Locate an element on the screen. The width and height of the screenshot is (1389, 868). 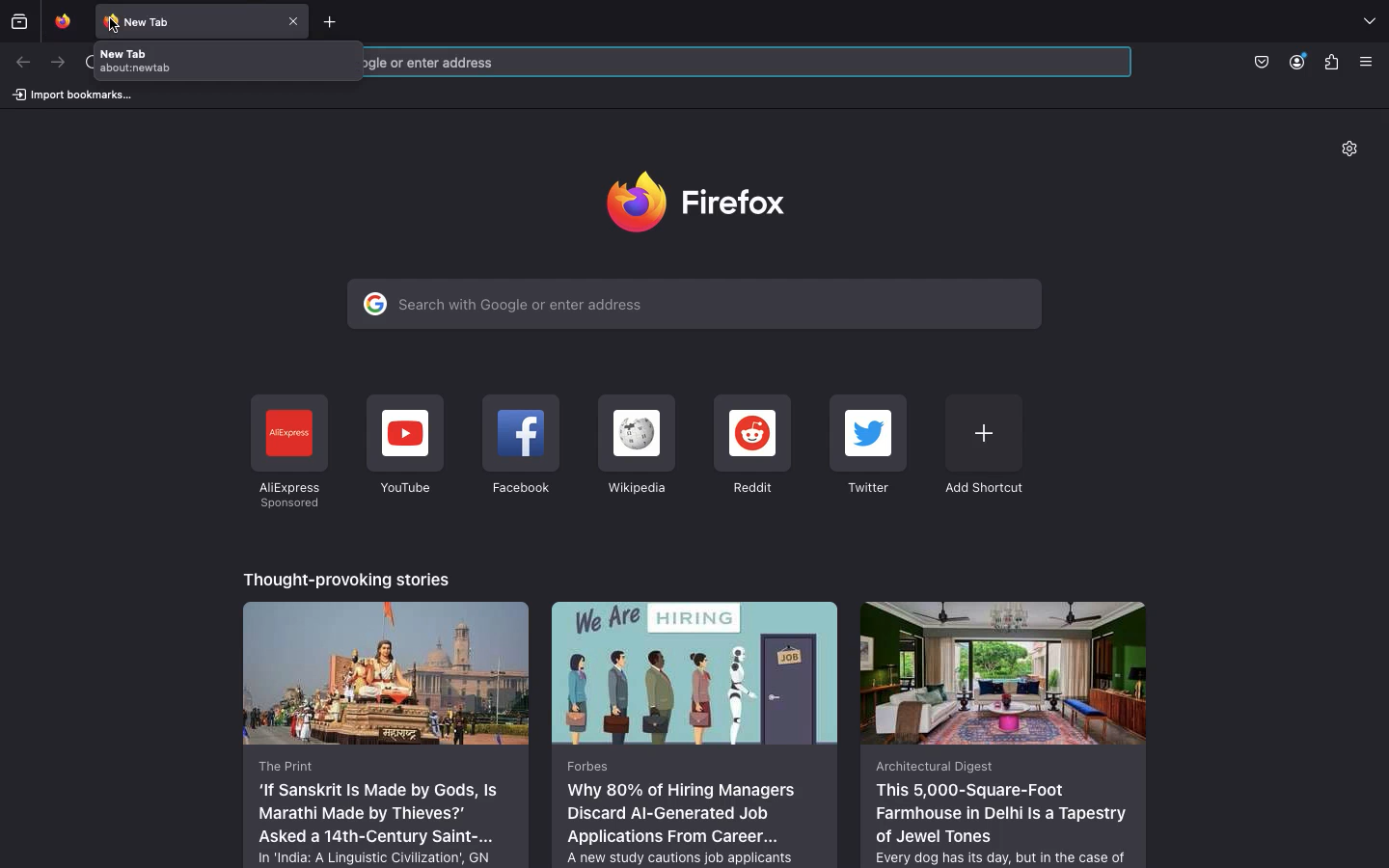
The Print

‘If Sanskrit Is Made by Gods, Is
Marathi Made by Thieves?"
Asked a 14th-Century Saint-...
In ‘India: A Linguistic Civilization’, GN is located at coordinates (387, 733).